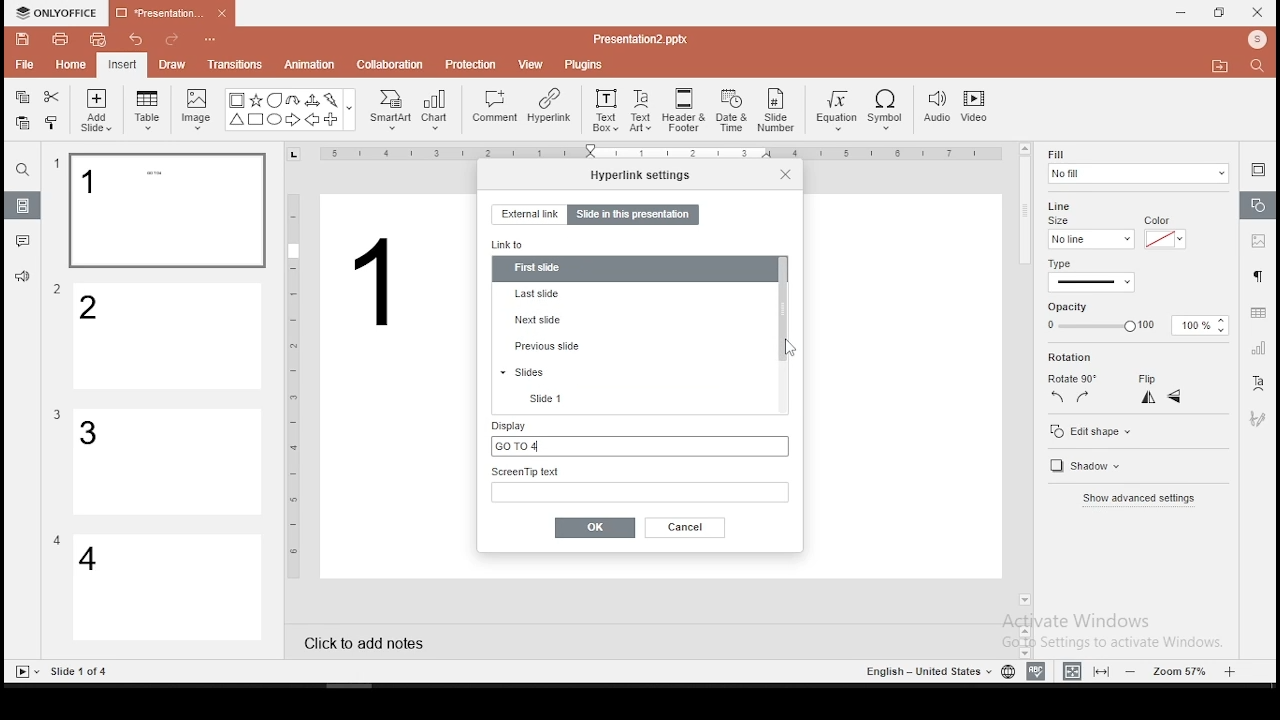  What do you see at coordinates (58, 290) in the screenshot?
I see `` at bounding box center [58, 290].